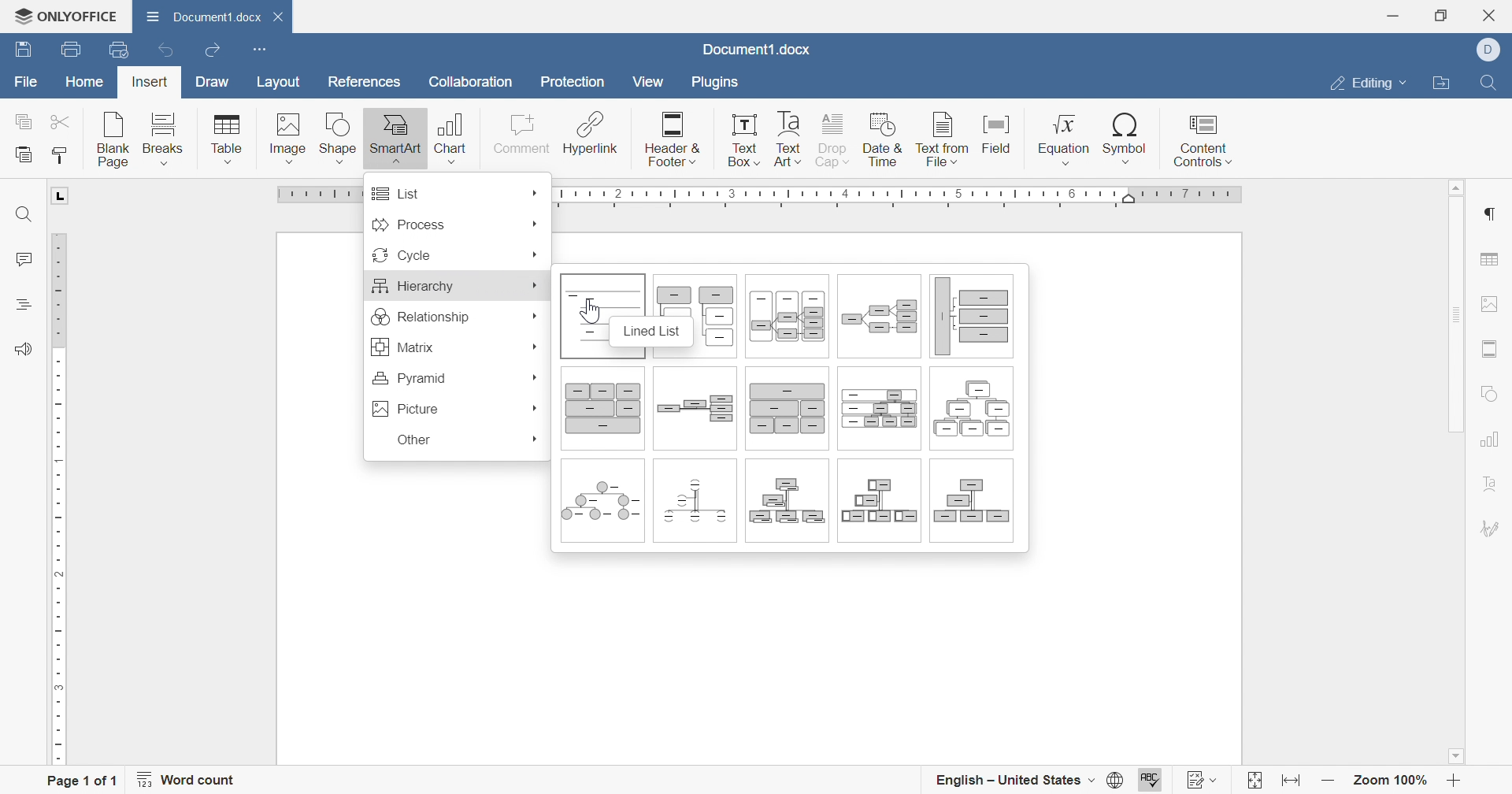 This screenshot has width=1512, height=794. Describe the element at coordinates (1493, 14) in the screenshot. I see `Close` at that location.